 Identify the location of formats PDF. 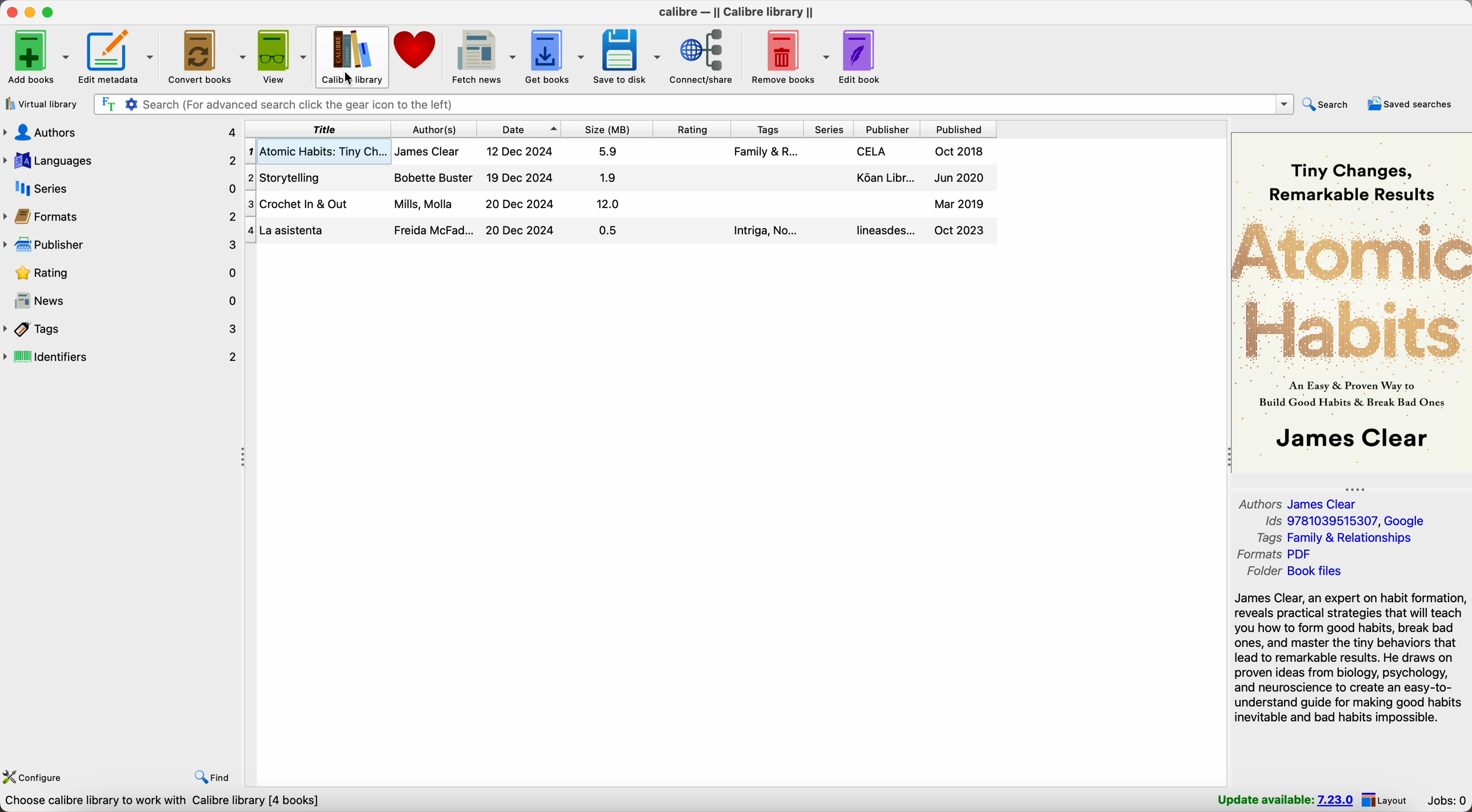
(1274, 554).